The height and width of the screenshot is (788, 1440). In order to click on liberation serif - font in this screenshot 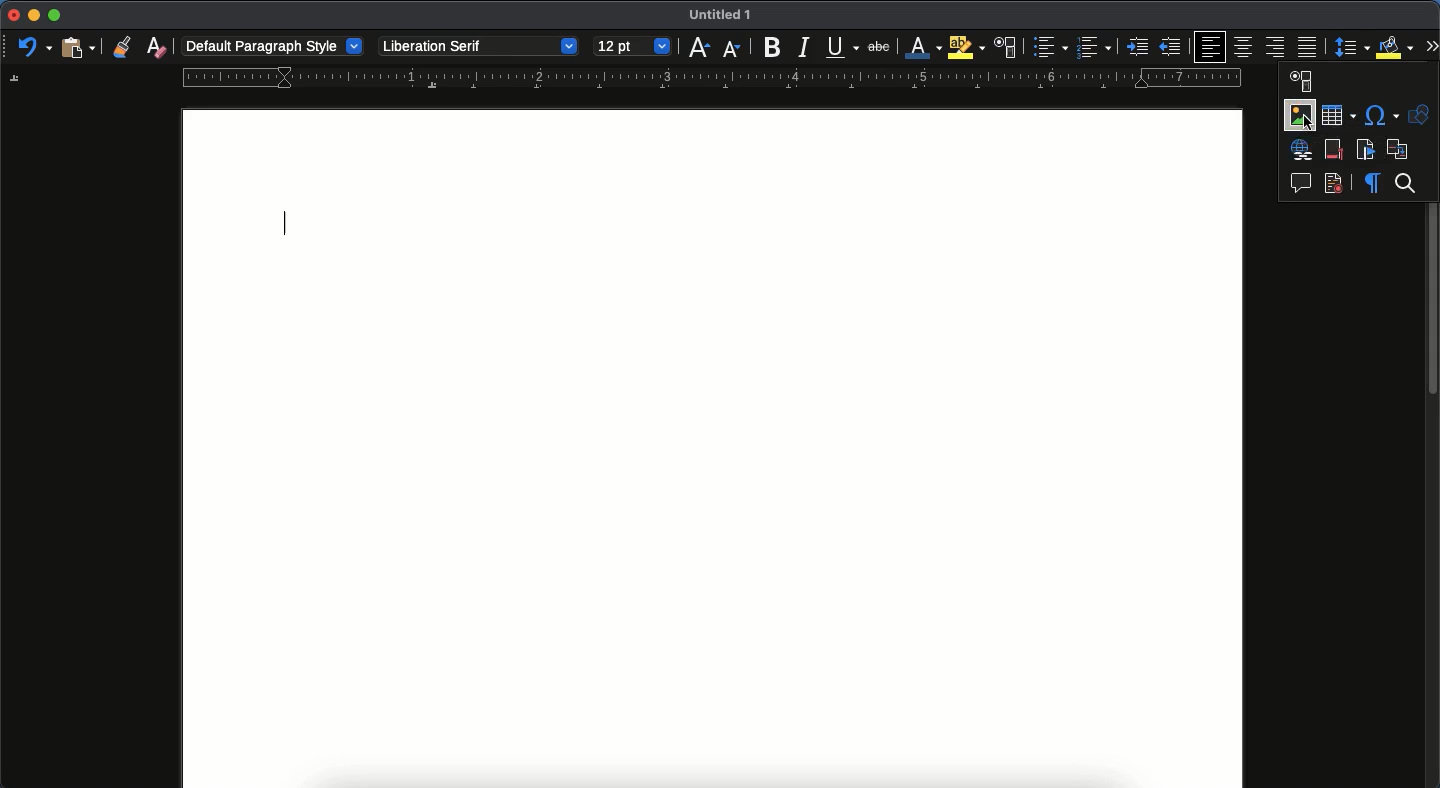, I will do `click(477, 44)`.